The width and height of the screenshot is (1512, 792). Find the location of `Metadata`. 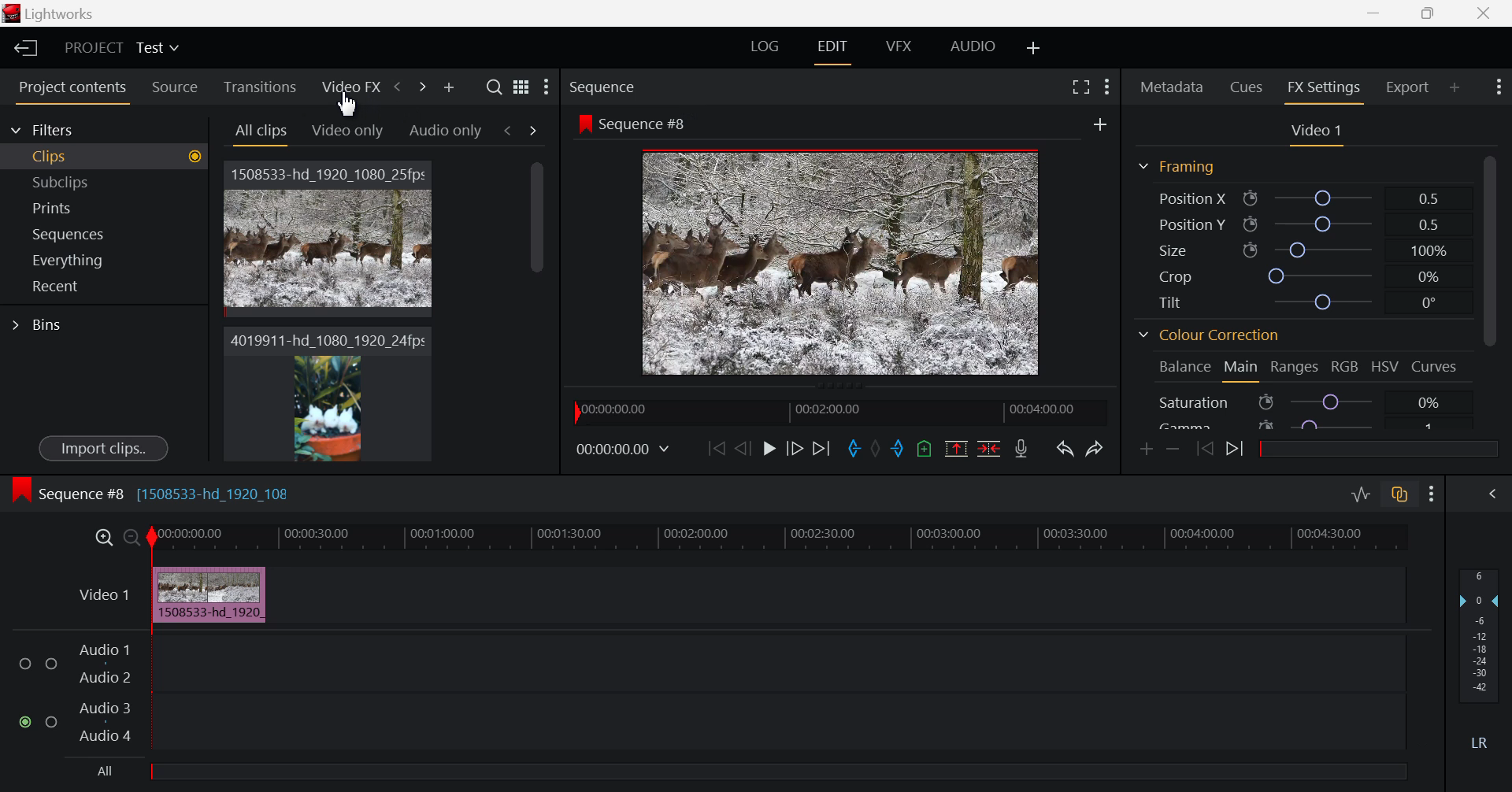

Metadata is located at coordinates (1171, 89).